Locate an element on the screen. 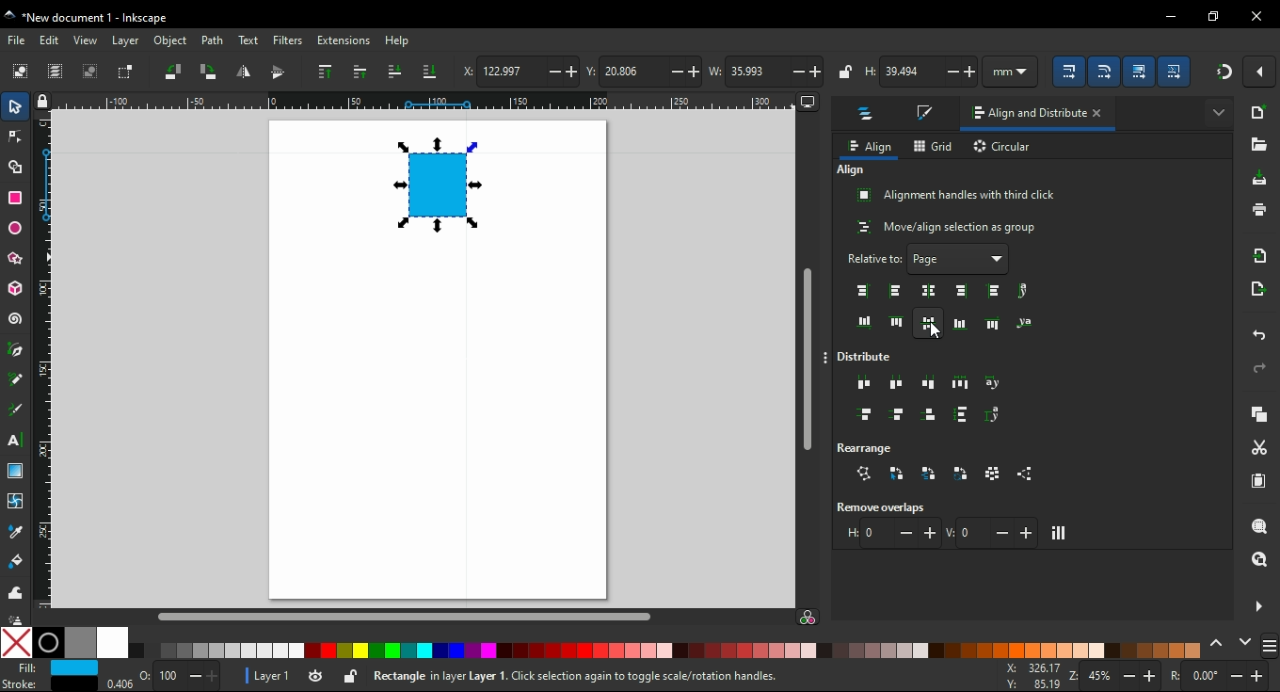  opacity is located at coordinates (163, 679).